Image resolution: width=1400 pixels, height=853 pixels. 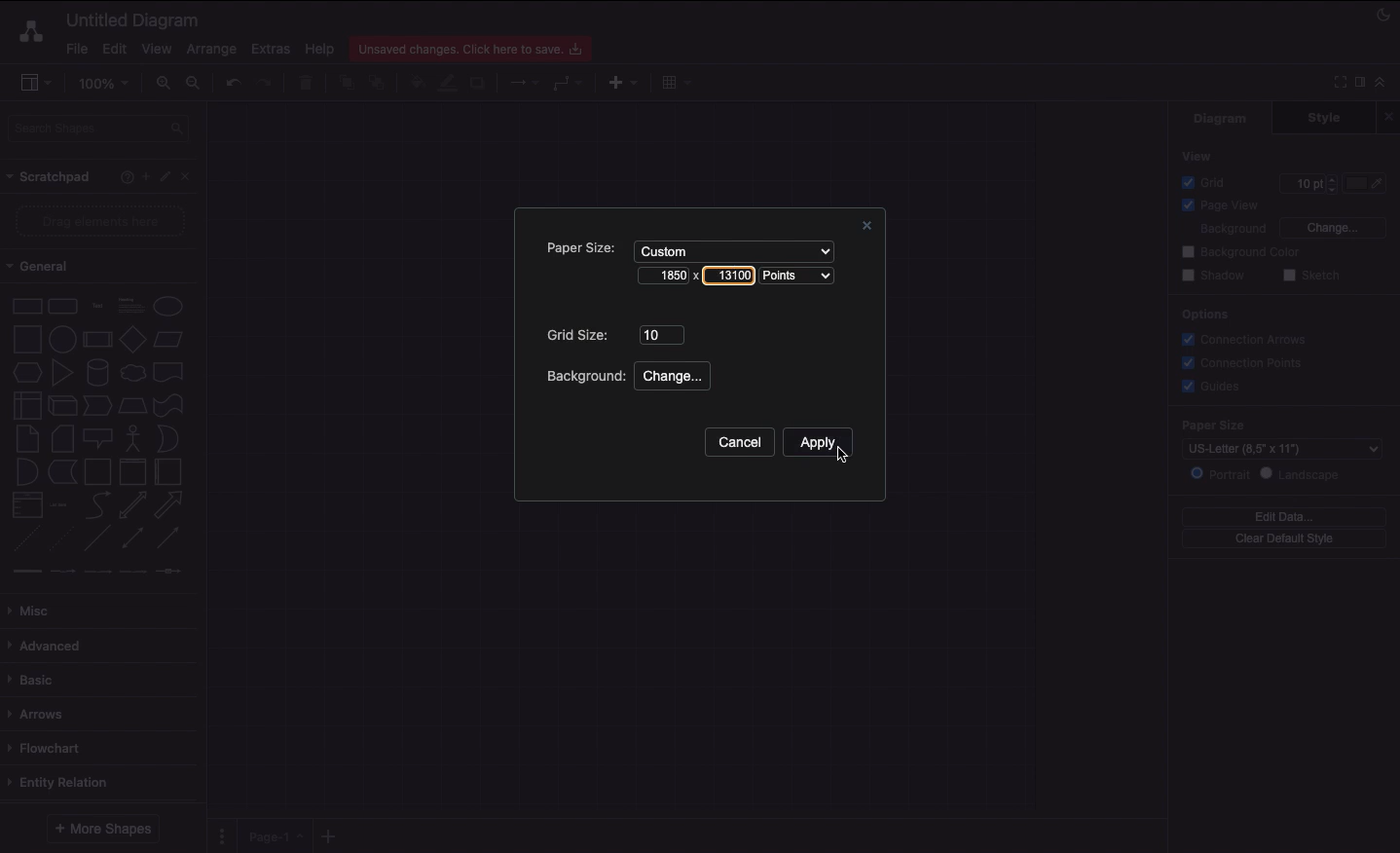 What do you see at coordinates (48, 748) in the screenshot?
I see `Flowchart` at bounding box center [48, 748].